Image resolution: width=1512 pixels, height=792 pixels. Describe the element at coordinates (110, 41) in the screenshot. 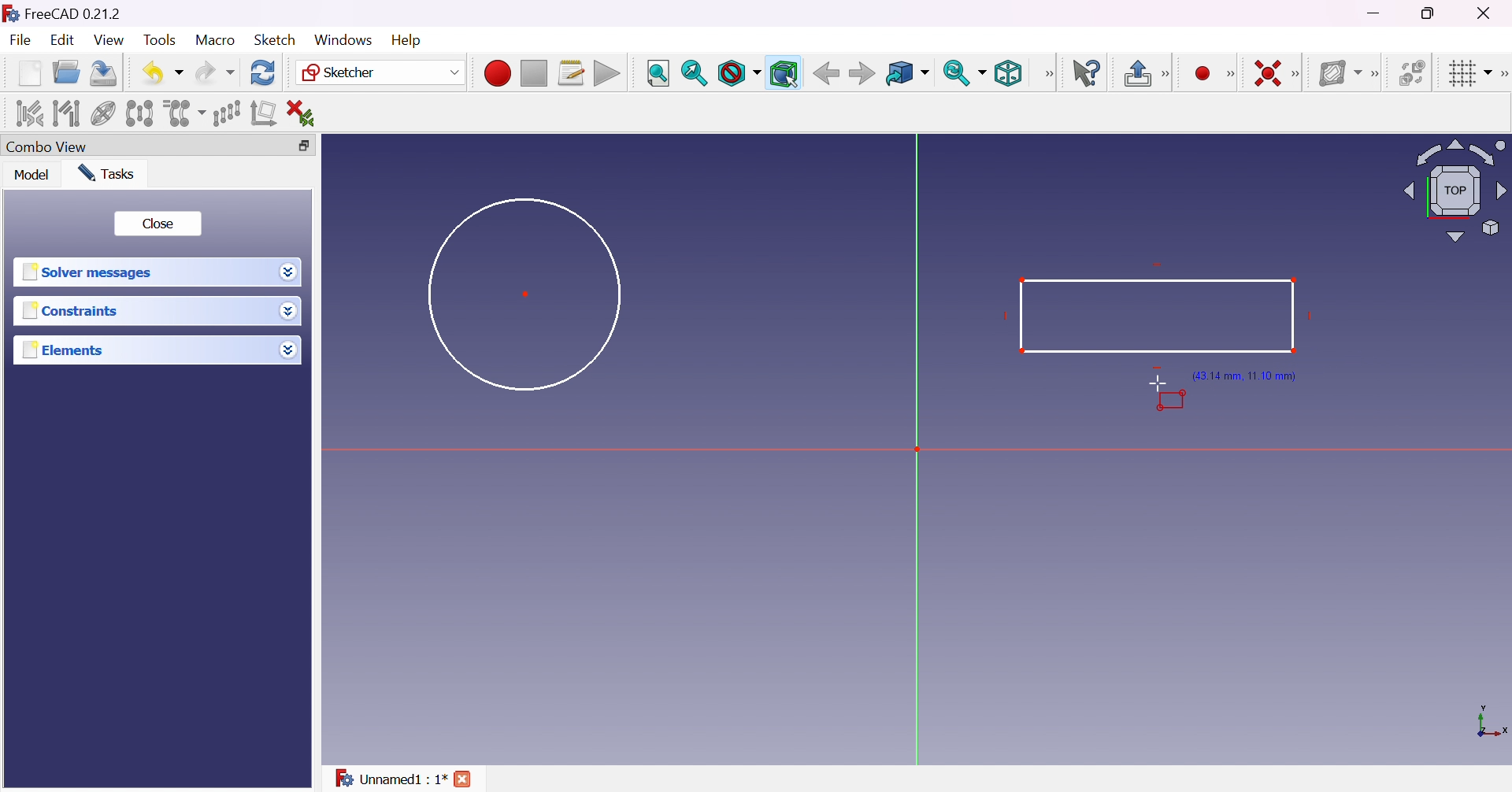

I see `View` at that location.